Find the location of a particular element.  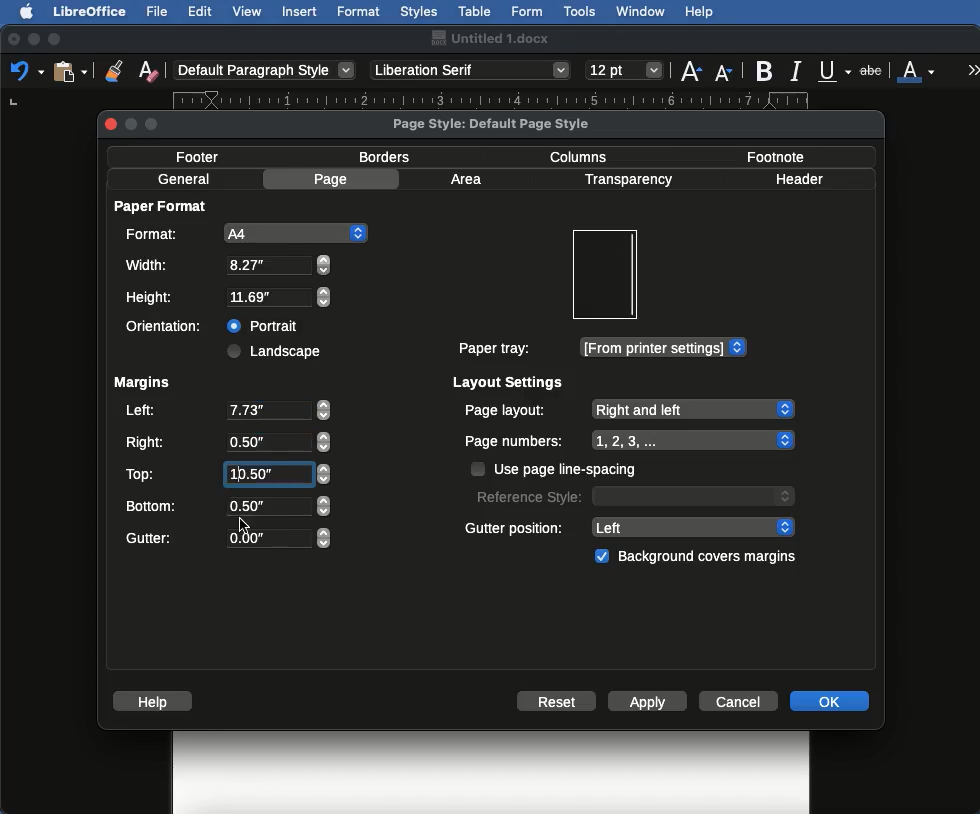

Bold is located at coordinates (766, 71).